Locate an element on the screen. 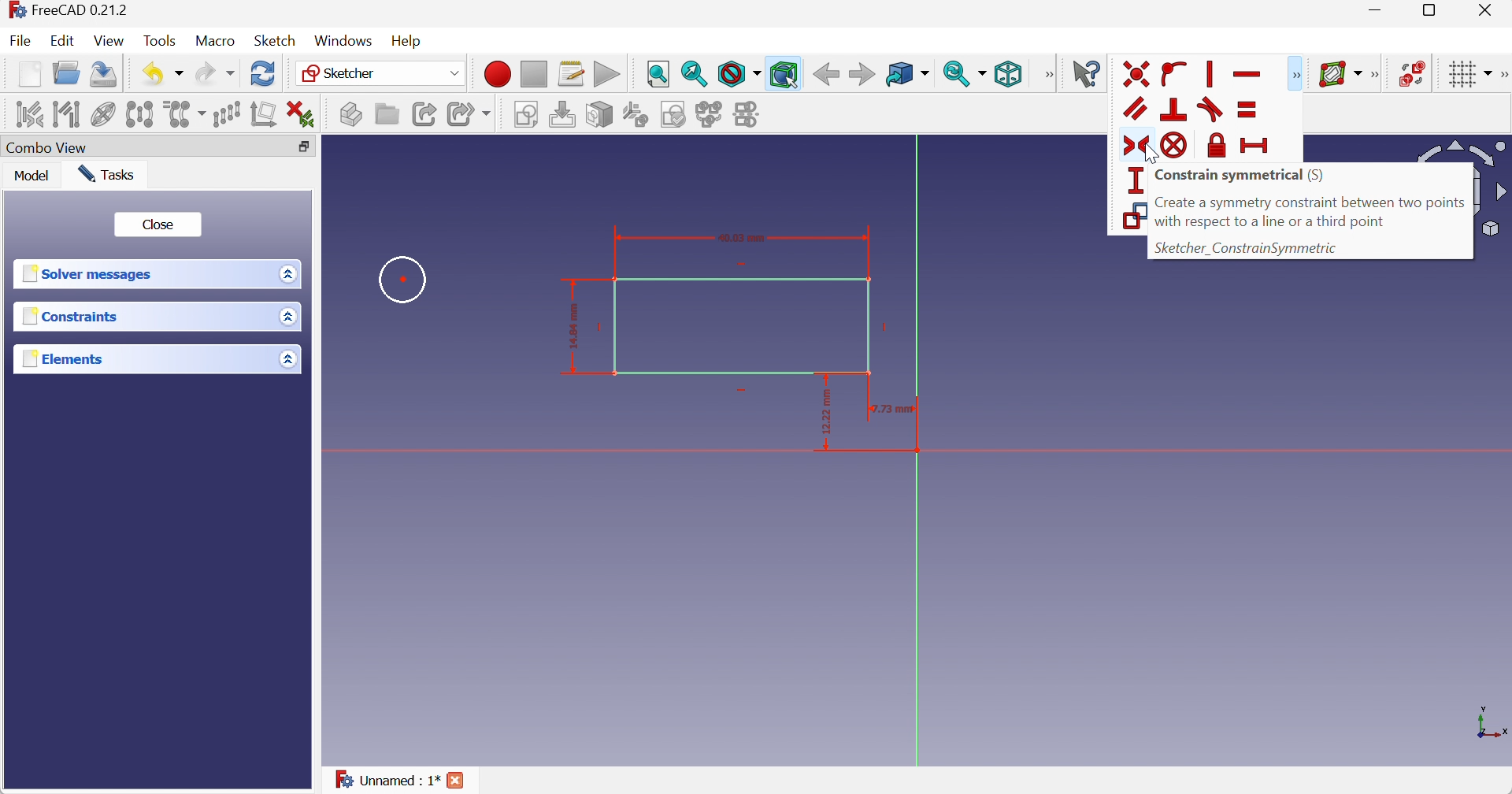 This screenshot has height=794, width=1512. View is located at coordinates (109, 41).